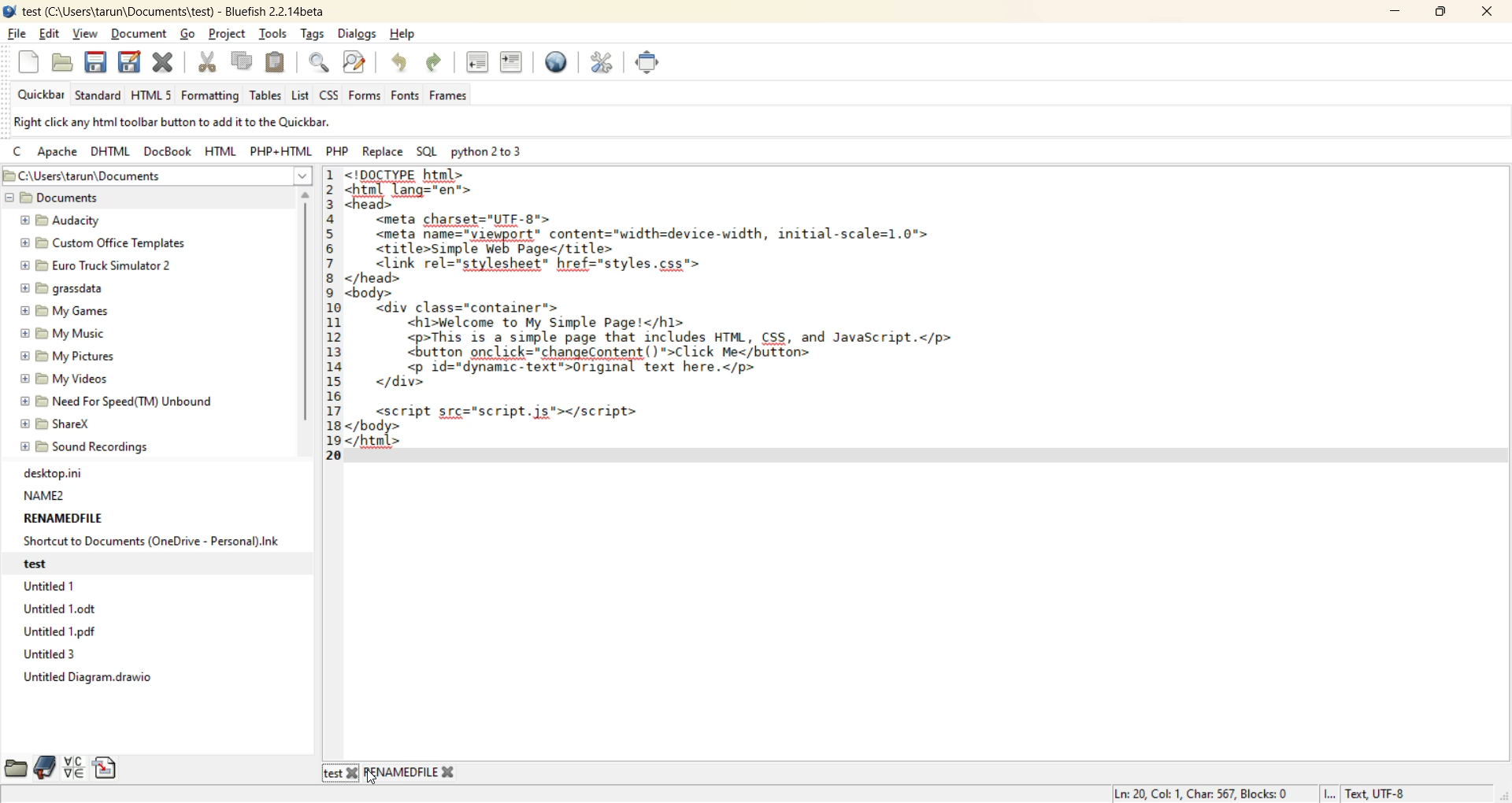 The height and width of the screenshot is (803, 1512). I want to click on css, so click(329, 95).